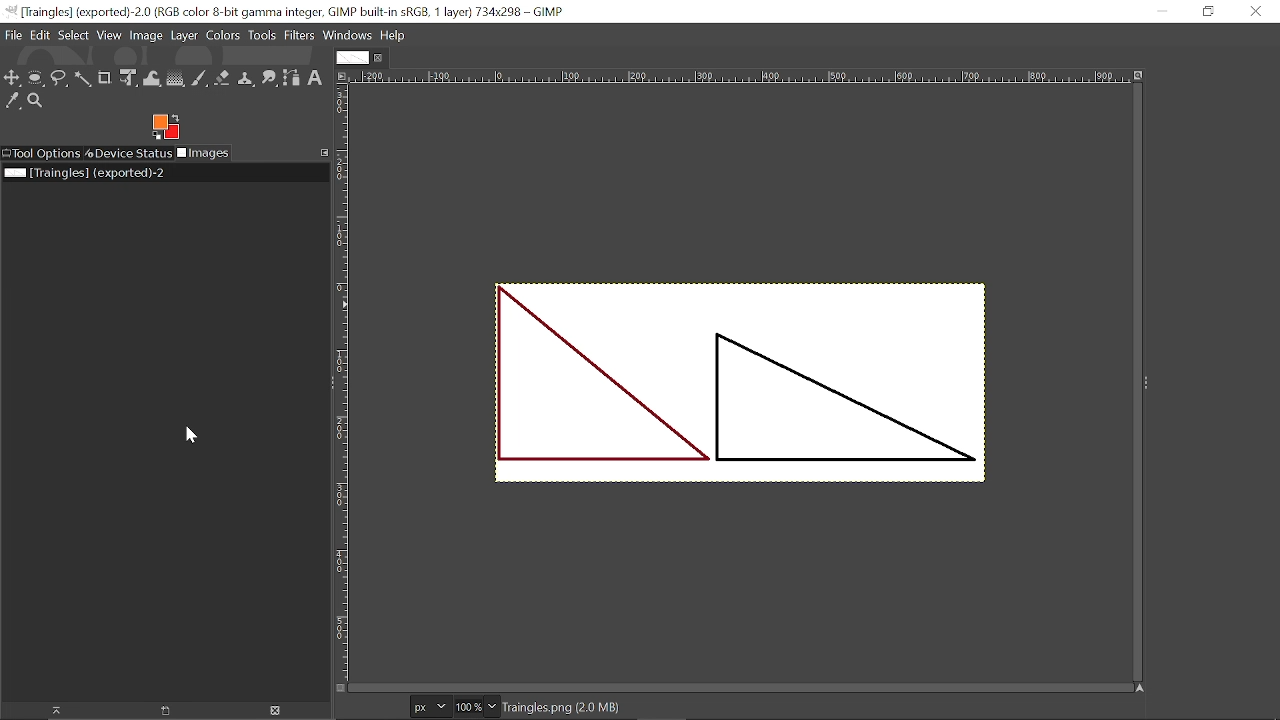 The width and height of the screenshot is (1280, 720). What do you see at coordinates (104, 79) in the screenshot?
I see `Crop tool` at bounding box center [104, 79].